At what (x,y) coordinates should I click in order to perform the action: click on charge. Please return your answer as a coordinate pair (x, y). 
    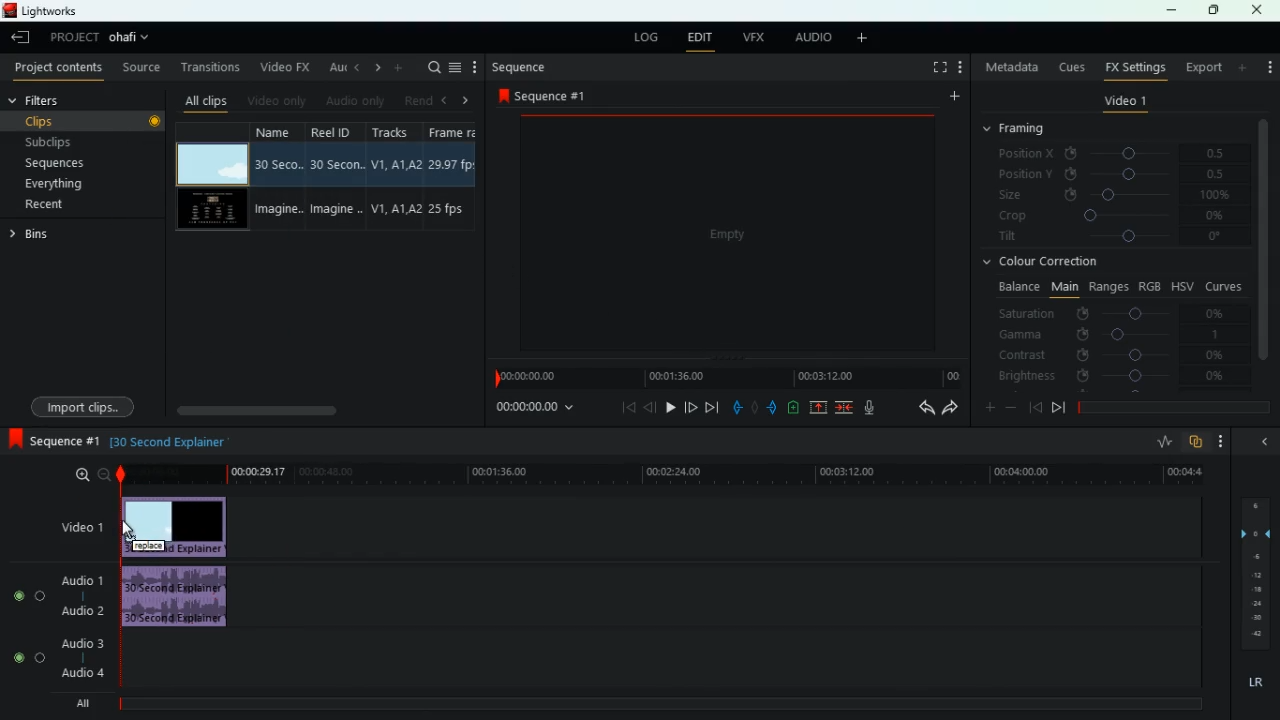
    Looking at the image, I should click on (794, 408).